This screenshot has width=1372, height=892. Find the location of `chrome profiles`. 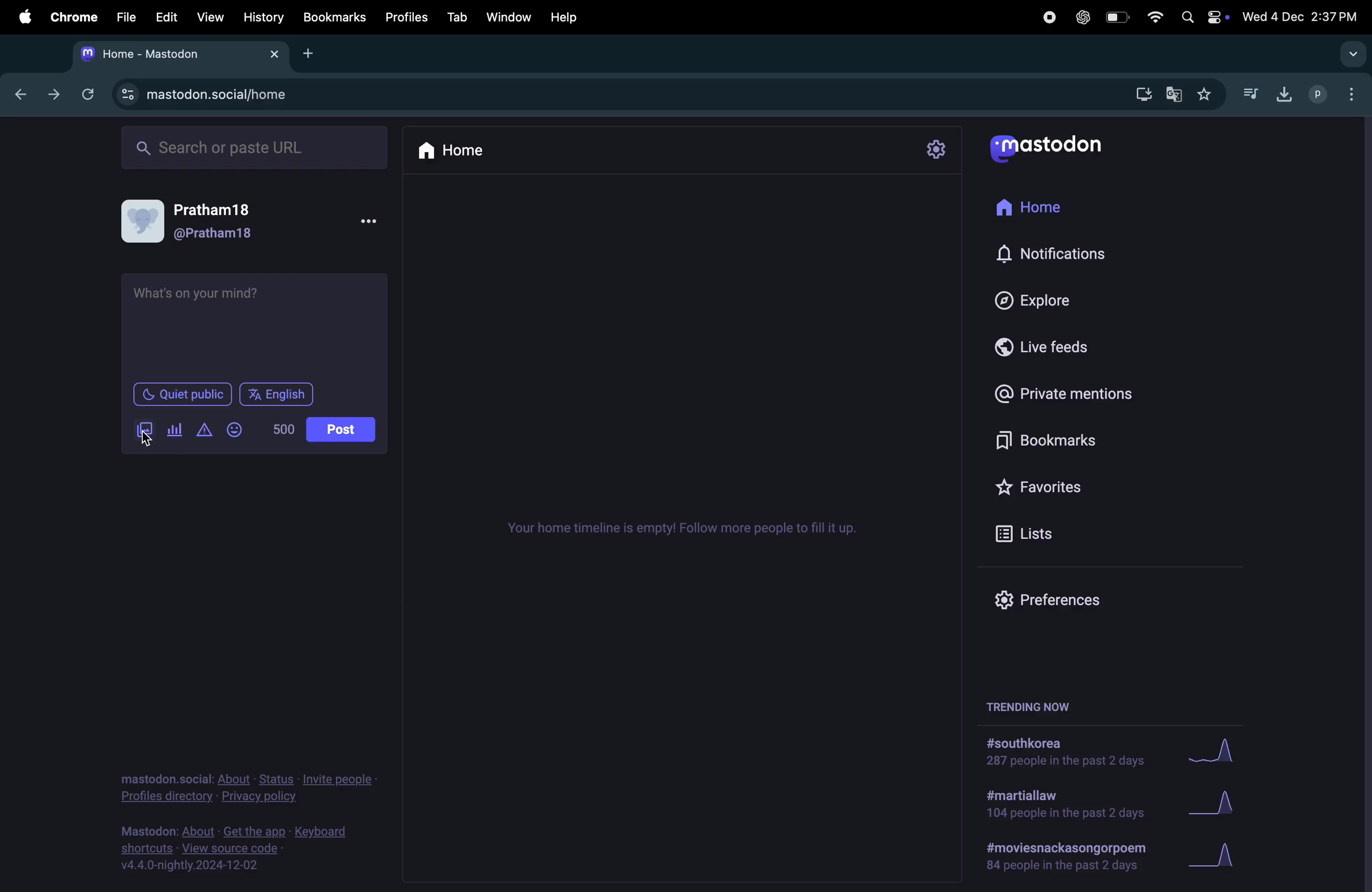

chrome profiles is located at coordinates (1335, 92).